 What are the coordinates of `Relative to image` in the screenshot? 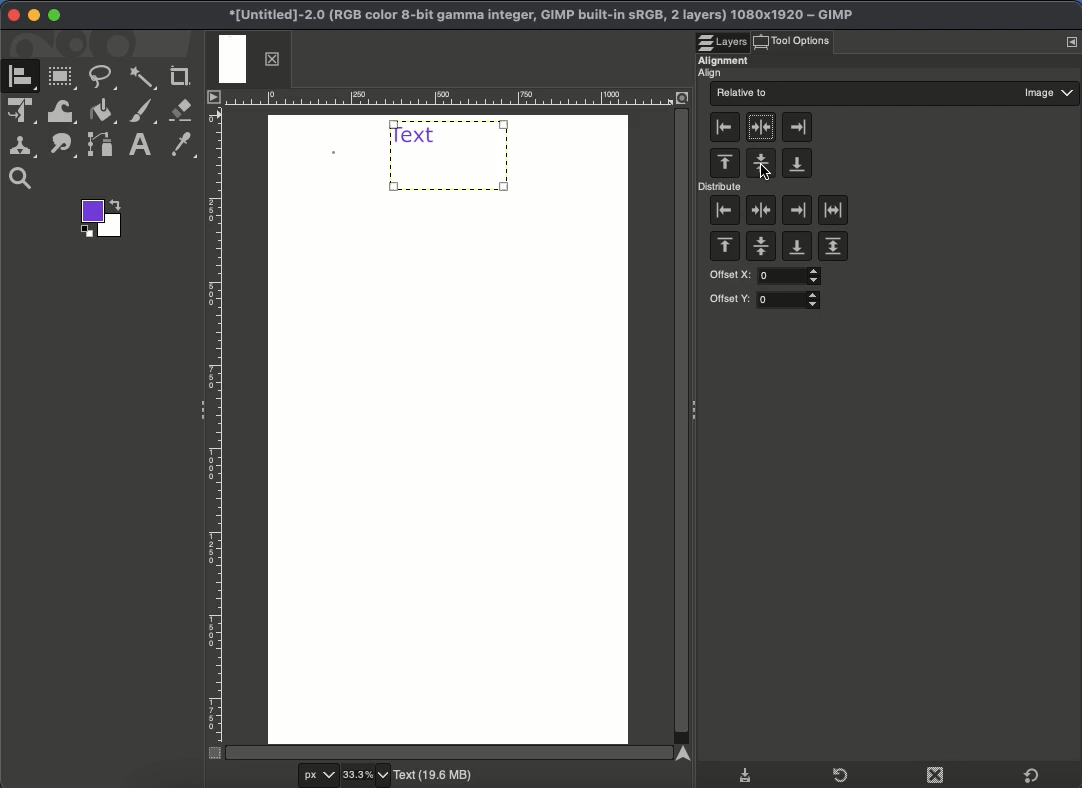 It's located at (895, 94).